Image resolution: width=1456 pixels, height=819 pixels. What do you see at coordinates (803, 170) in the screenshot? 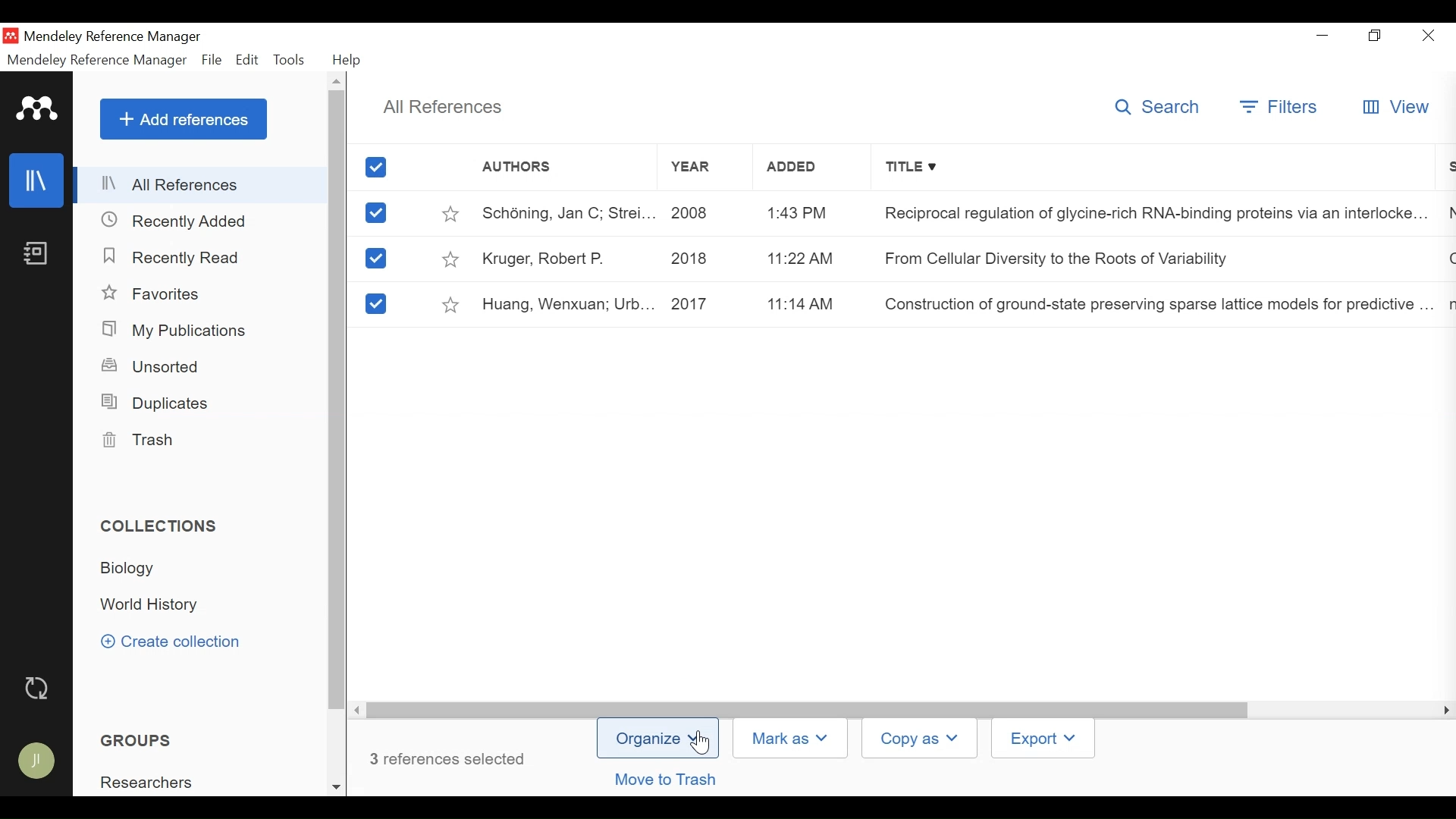
I see `Added` at bounding box center [803, 170].